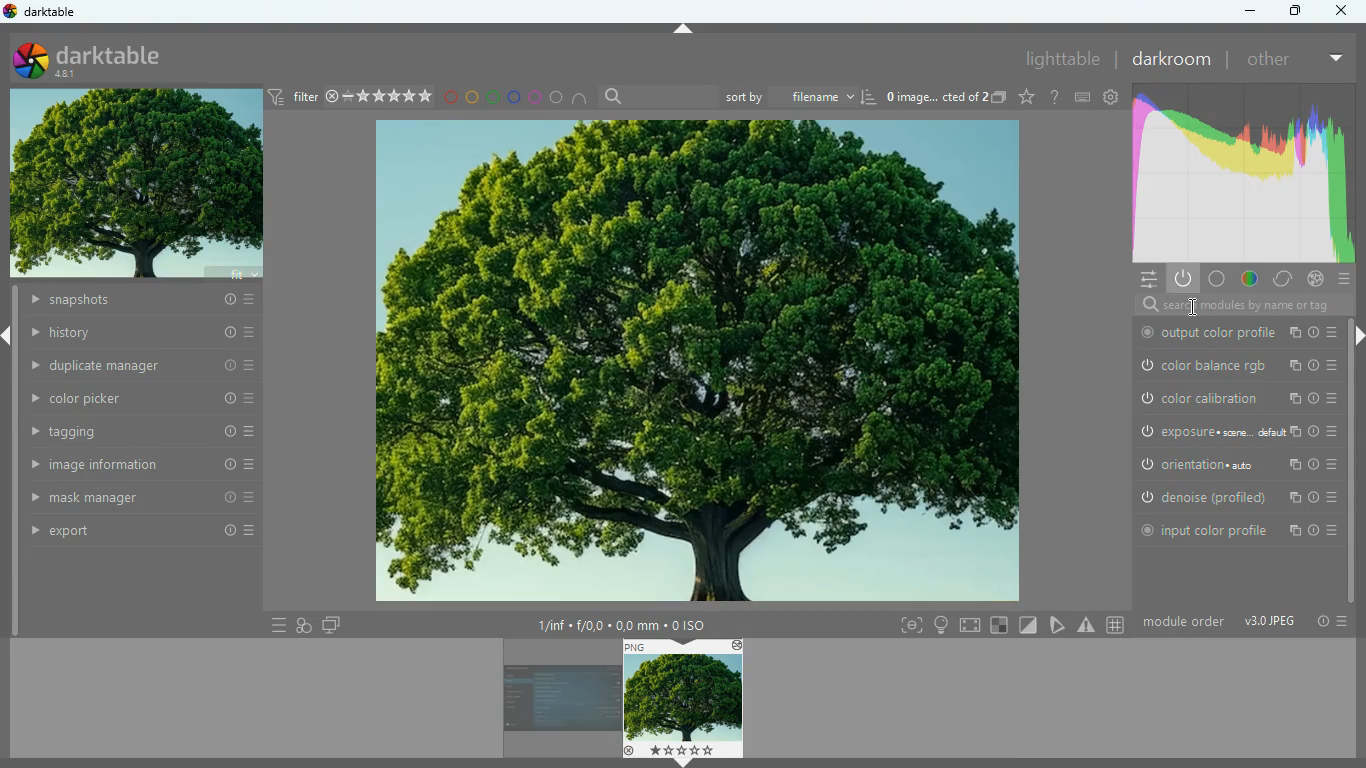 The image size is (1366, 768). I want to click on square, so click(998, 624).